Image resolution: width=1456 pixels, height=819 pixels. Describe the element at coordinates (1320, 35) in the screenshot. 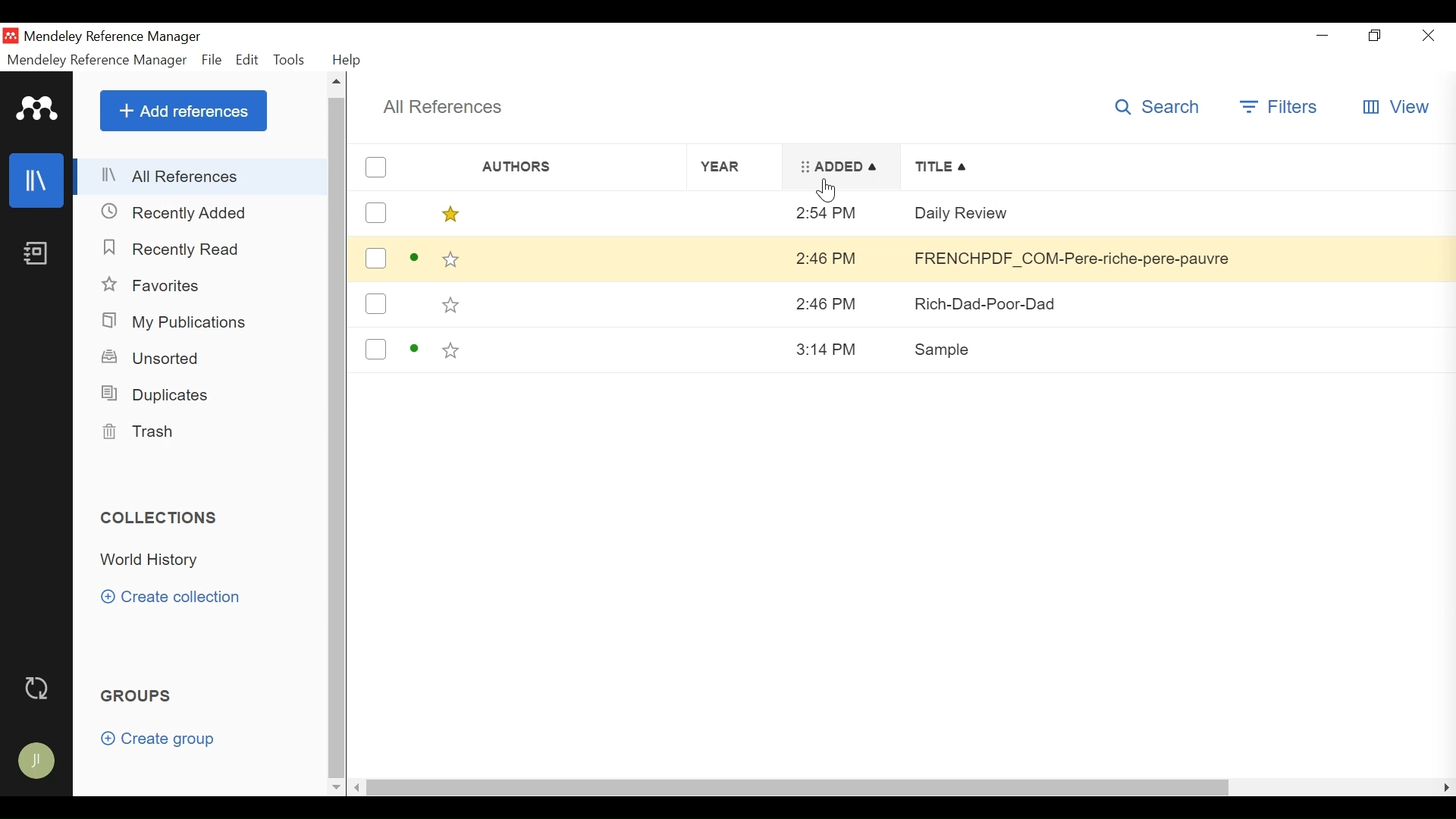

I see `minimize` at that location.